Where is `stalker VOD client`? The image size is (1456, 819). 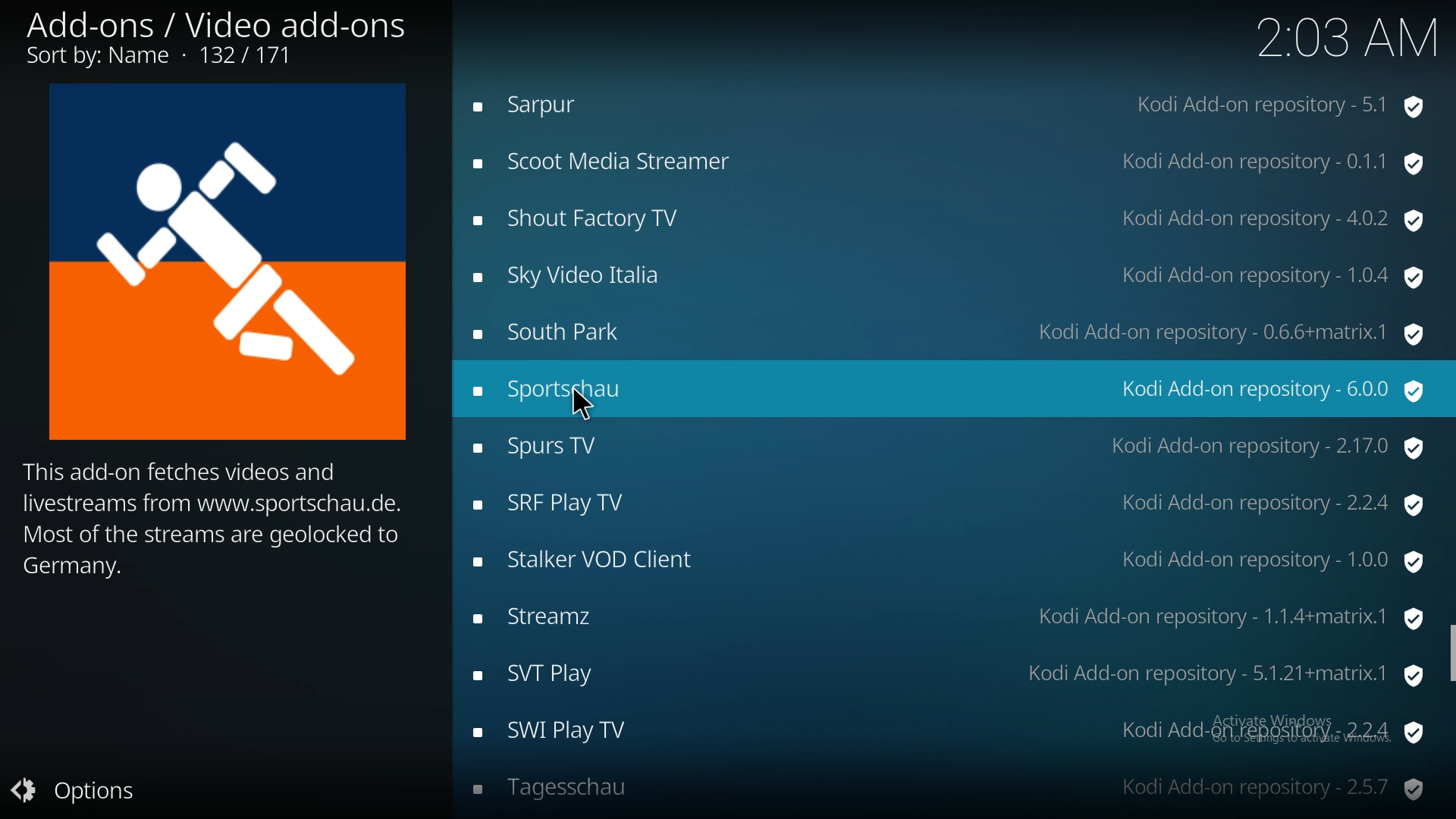
stalker VOD client is located at coordinates (952, 562).